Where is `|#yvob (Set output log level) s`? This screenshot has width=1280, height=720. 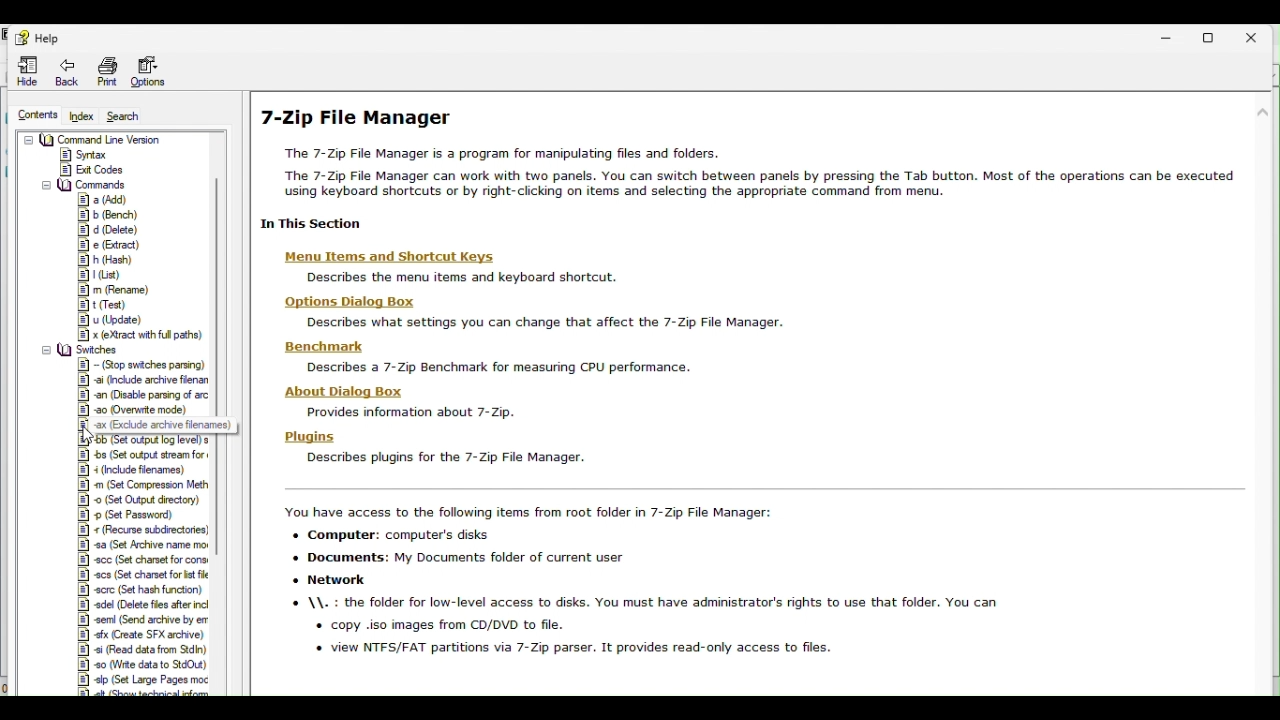 |#yvob (Set output log level) s is located at coordinates (147, 441).